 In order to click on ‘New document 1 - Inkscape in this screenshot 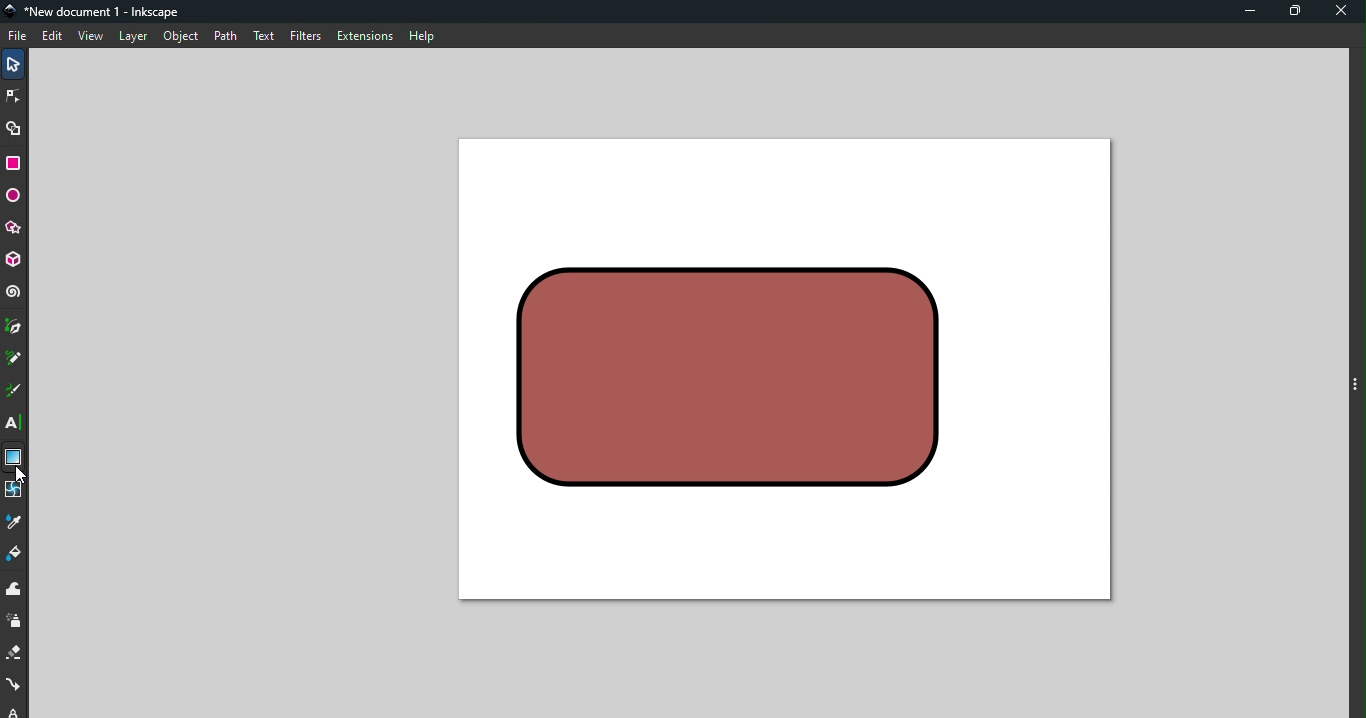, I will do `click(105, 12)`.